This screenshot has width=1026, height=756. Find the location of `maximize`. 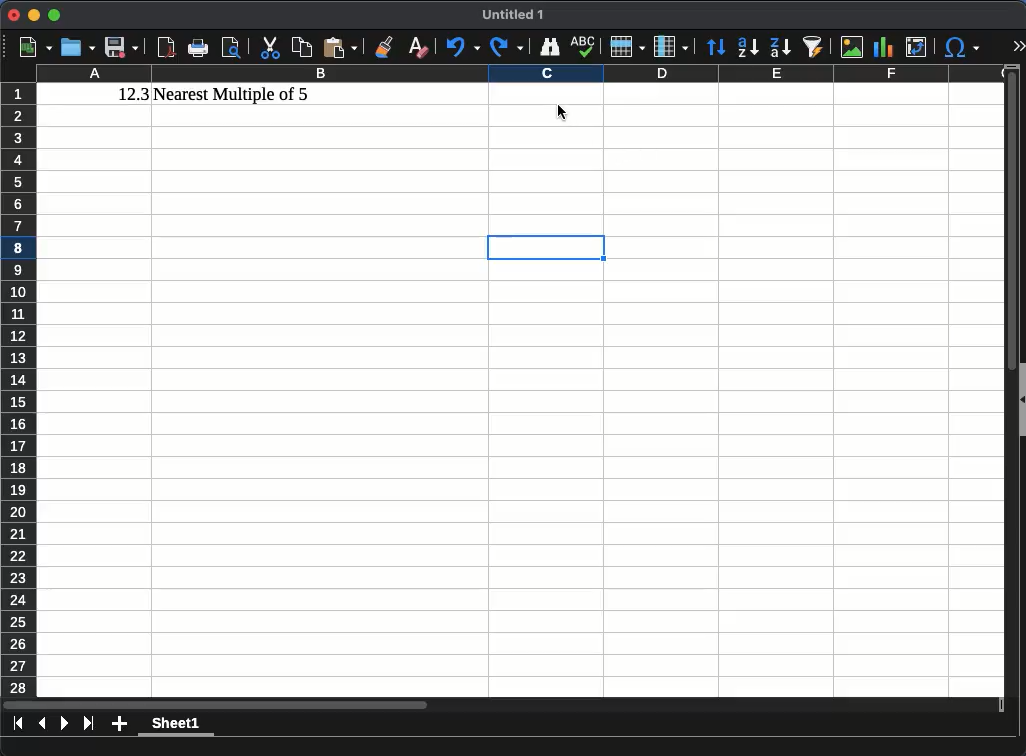

maximize is located at coordinates (53, 14).